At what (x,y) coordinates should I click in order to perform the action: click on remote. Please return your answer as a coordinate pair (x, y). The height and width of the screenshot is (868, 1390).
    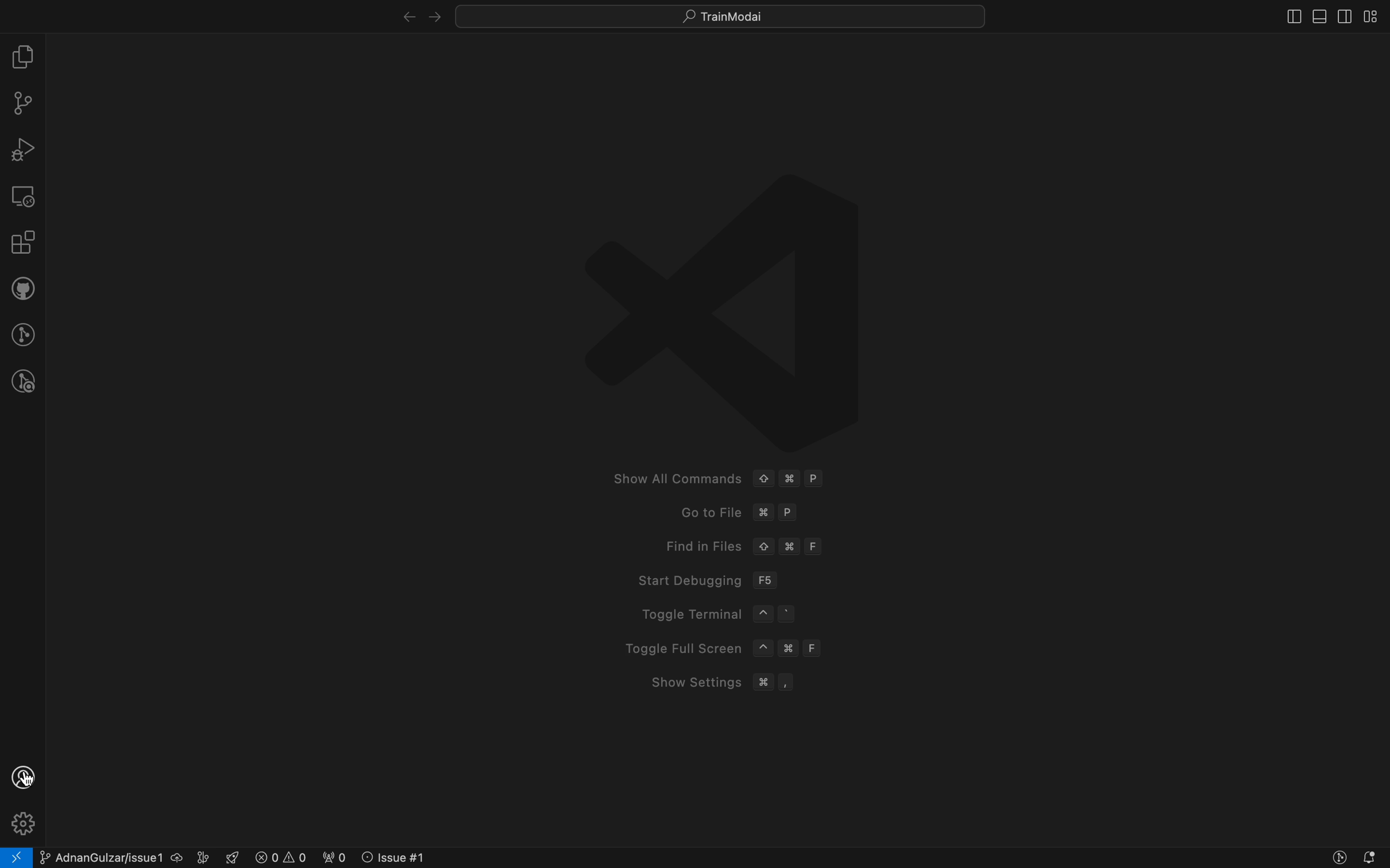
    Looking at the image, I should click on (24, 196).